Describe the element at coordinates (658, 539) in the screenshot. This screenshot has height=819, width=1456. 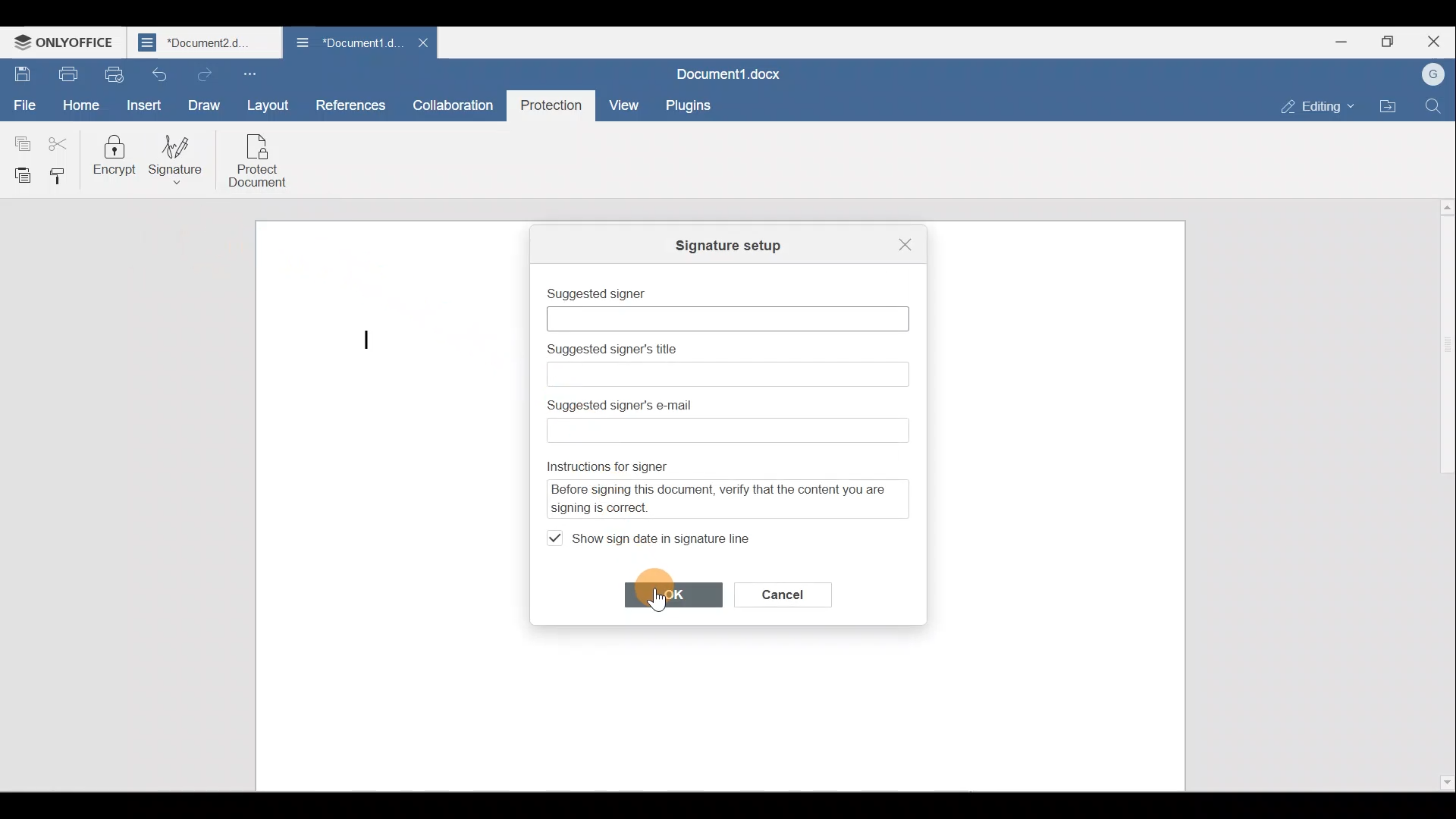
I see `Show sign date in signature line` at that location.